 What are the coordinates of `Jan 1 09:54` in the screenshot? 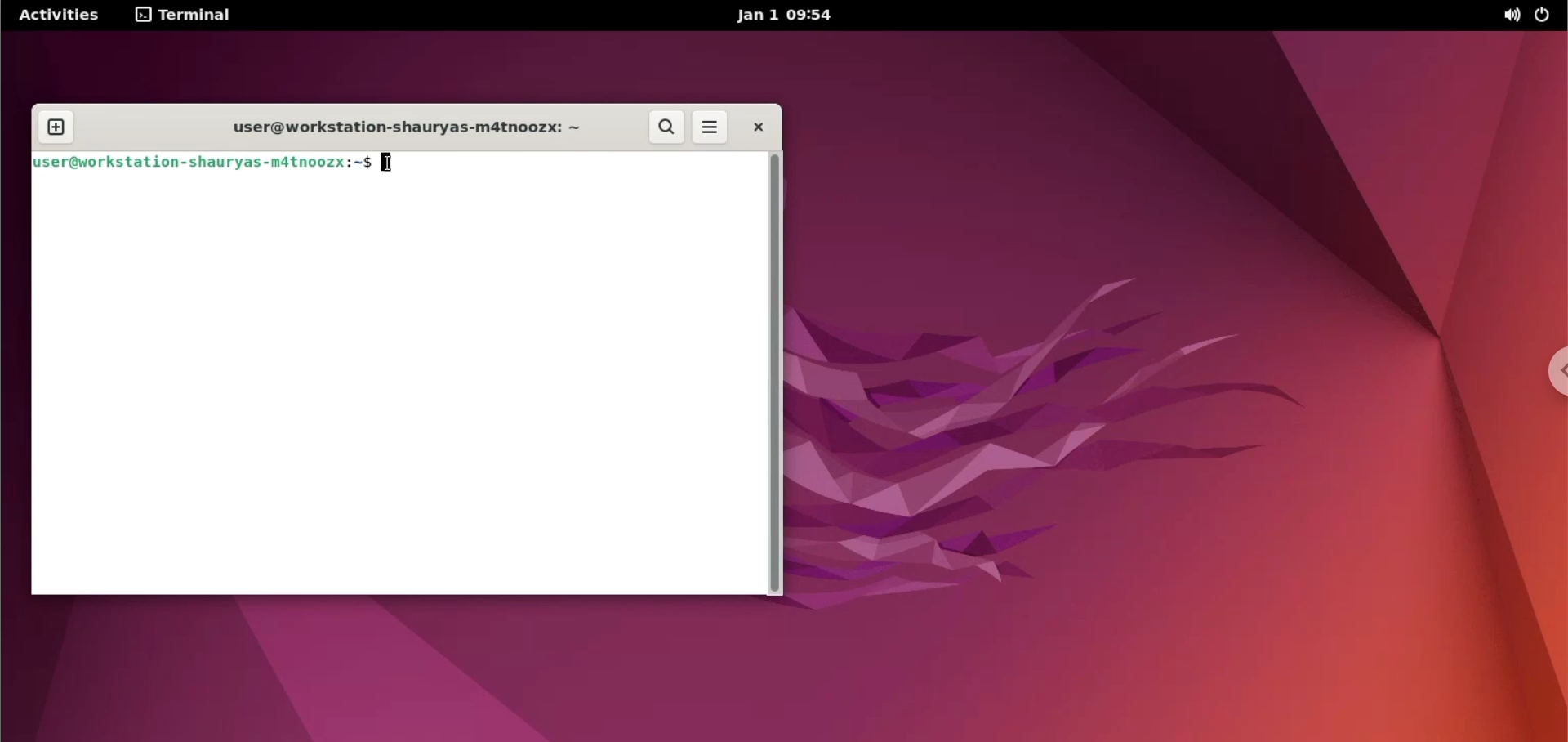 It's located at (782, 17).